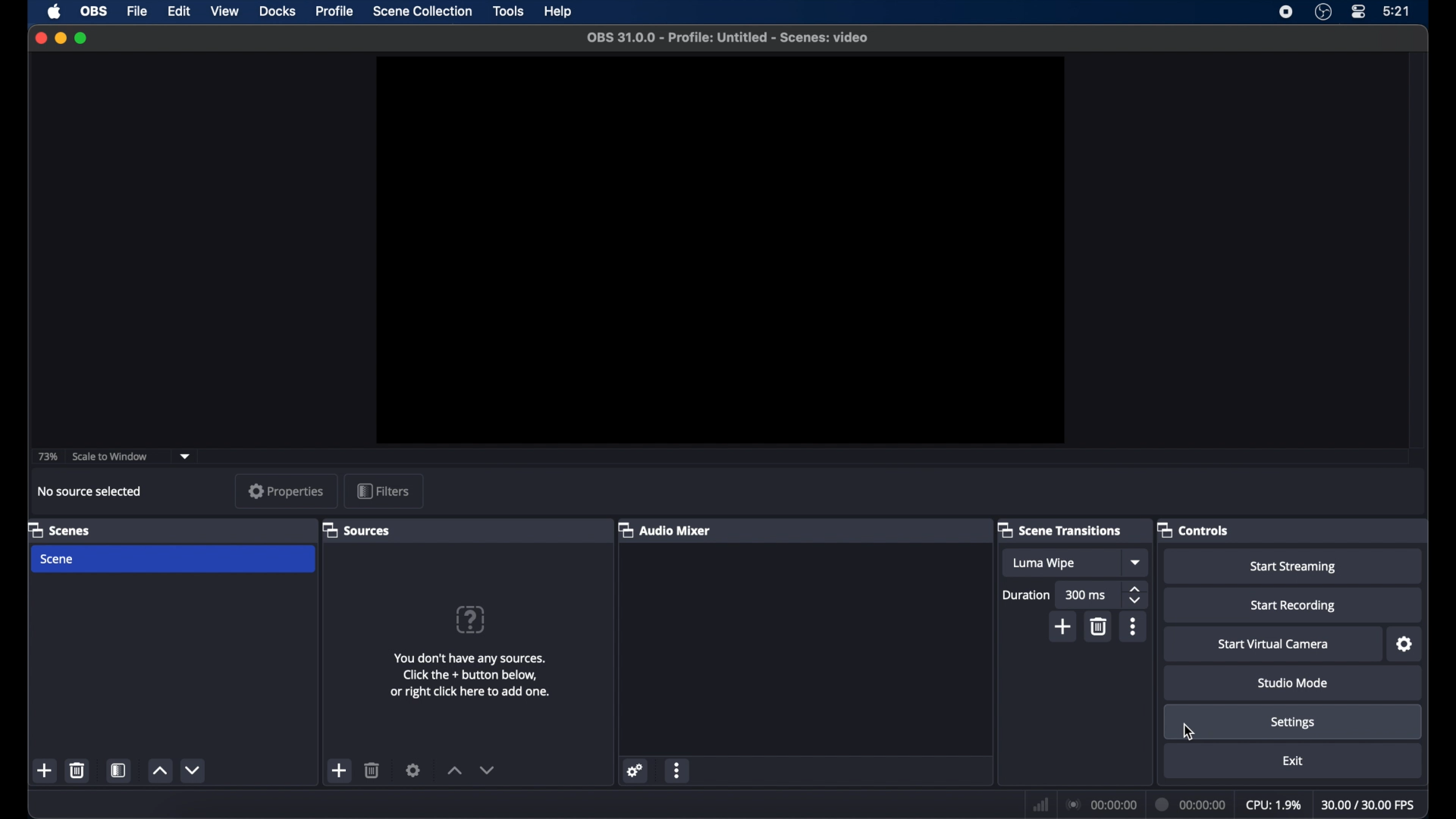 The width and height of the screenshot is (1456, 819). Describe the element at coordinates (340, 770) in the screenshot. I see `add` at that location.